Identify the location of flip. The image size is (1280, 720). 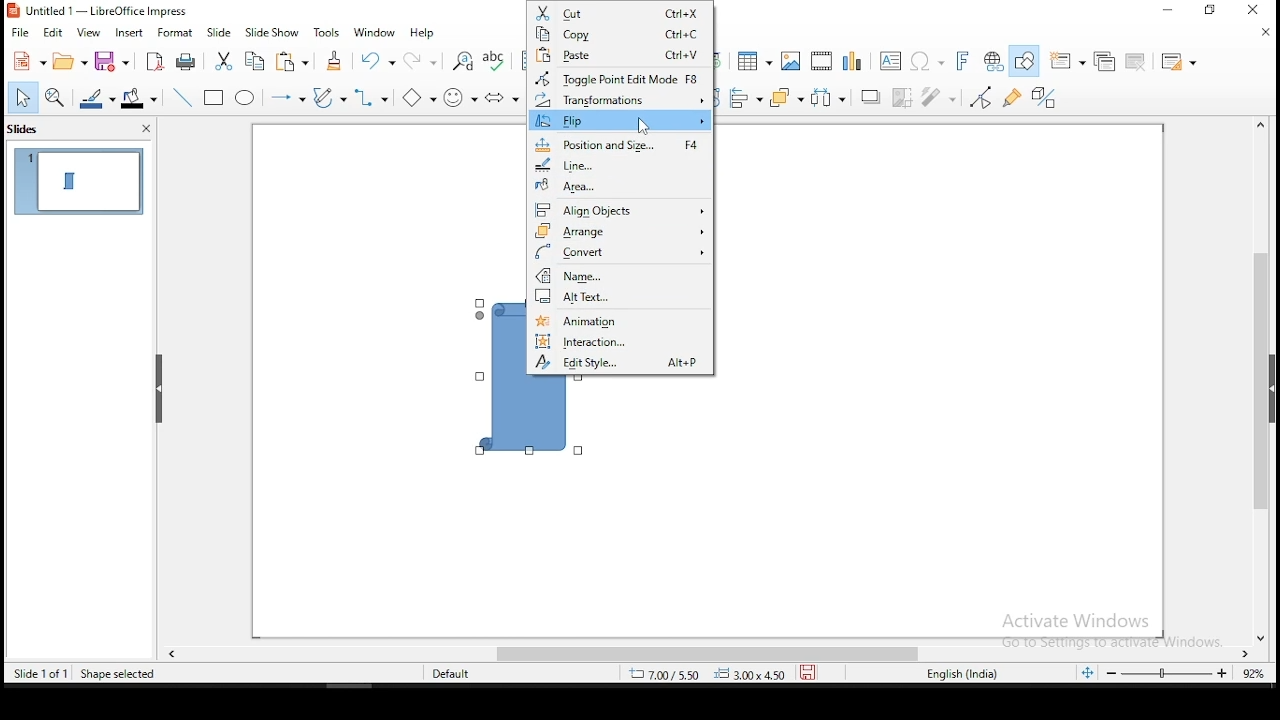
(620, 120).